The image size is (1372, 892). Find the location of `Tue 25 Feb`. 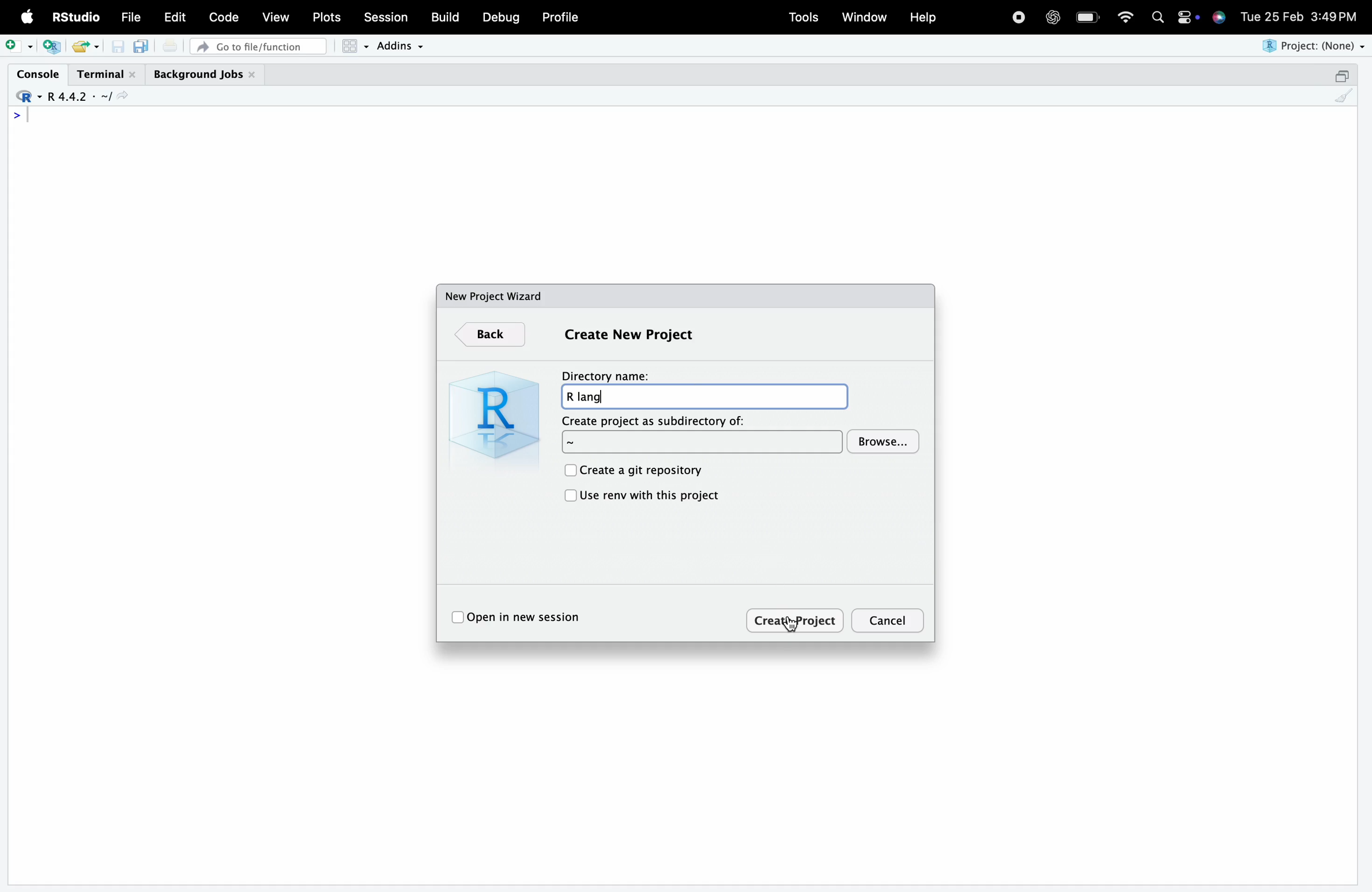

Tue 25 Feb is located at coordinates (1271, 15).